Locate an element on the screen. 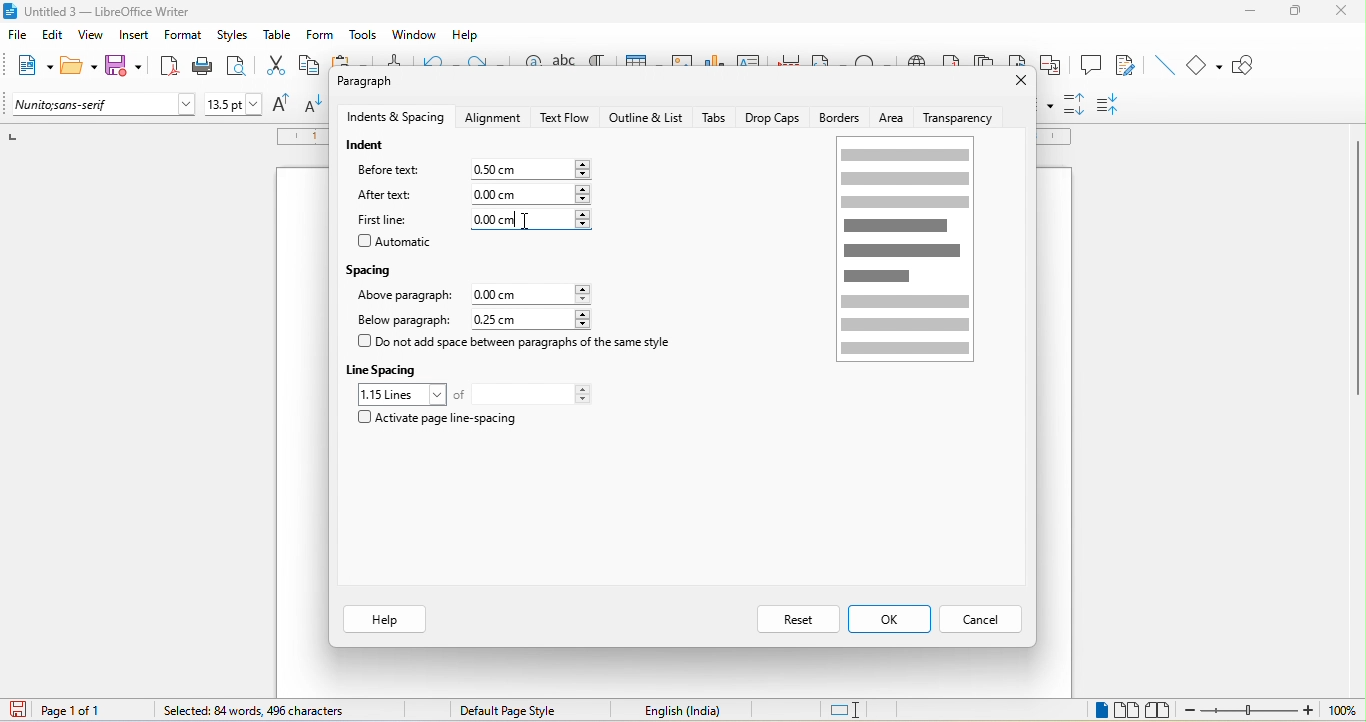  automatic is located at coordinates (406, 244).